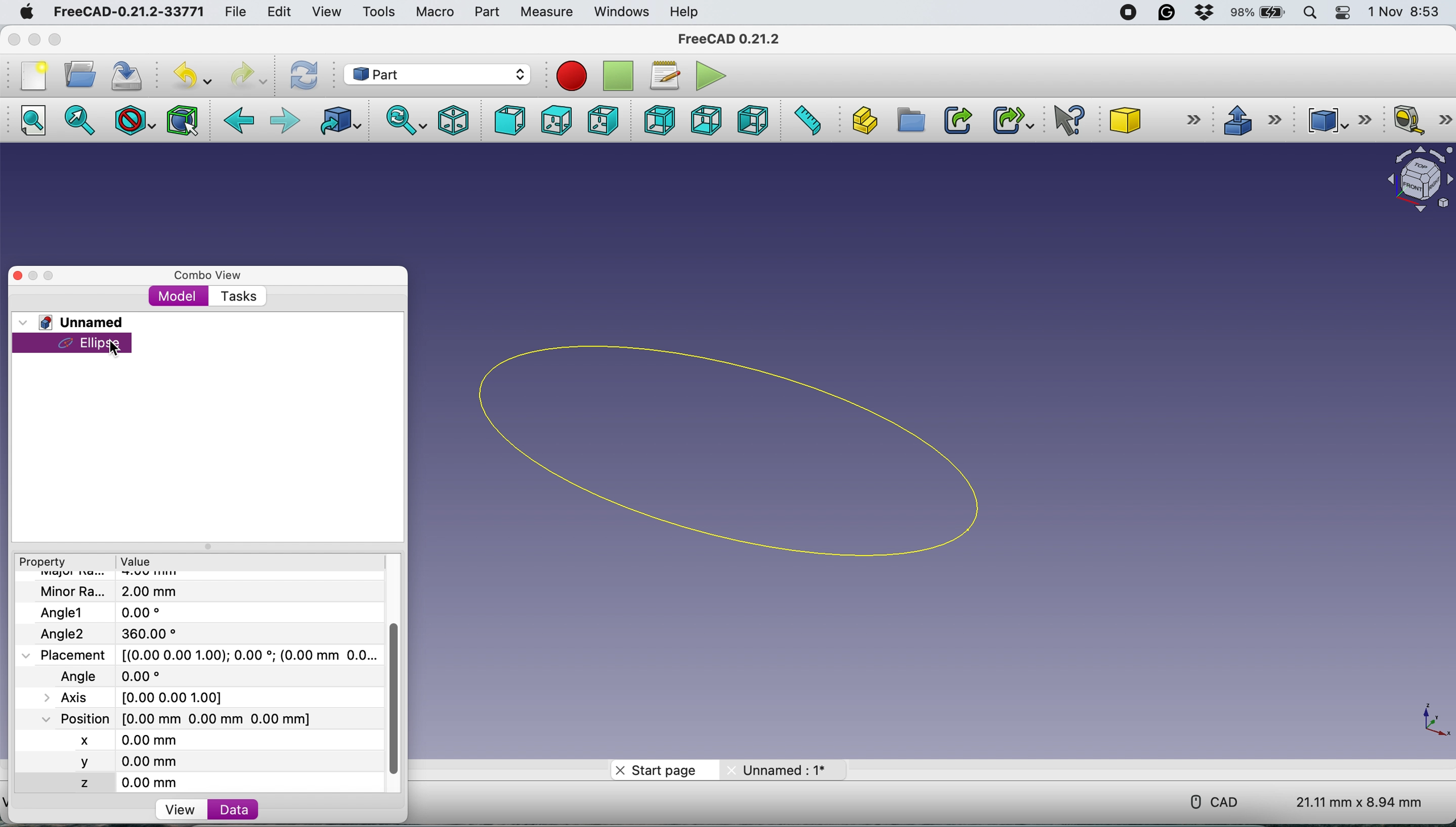 This screenshot has width=1456, height=827. Describe the element at coordinates (454, 119) in the screenshot. I see `isometric` at that location.